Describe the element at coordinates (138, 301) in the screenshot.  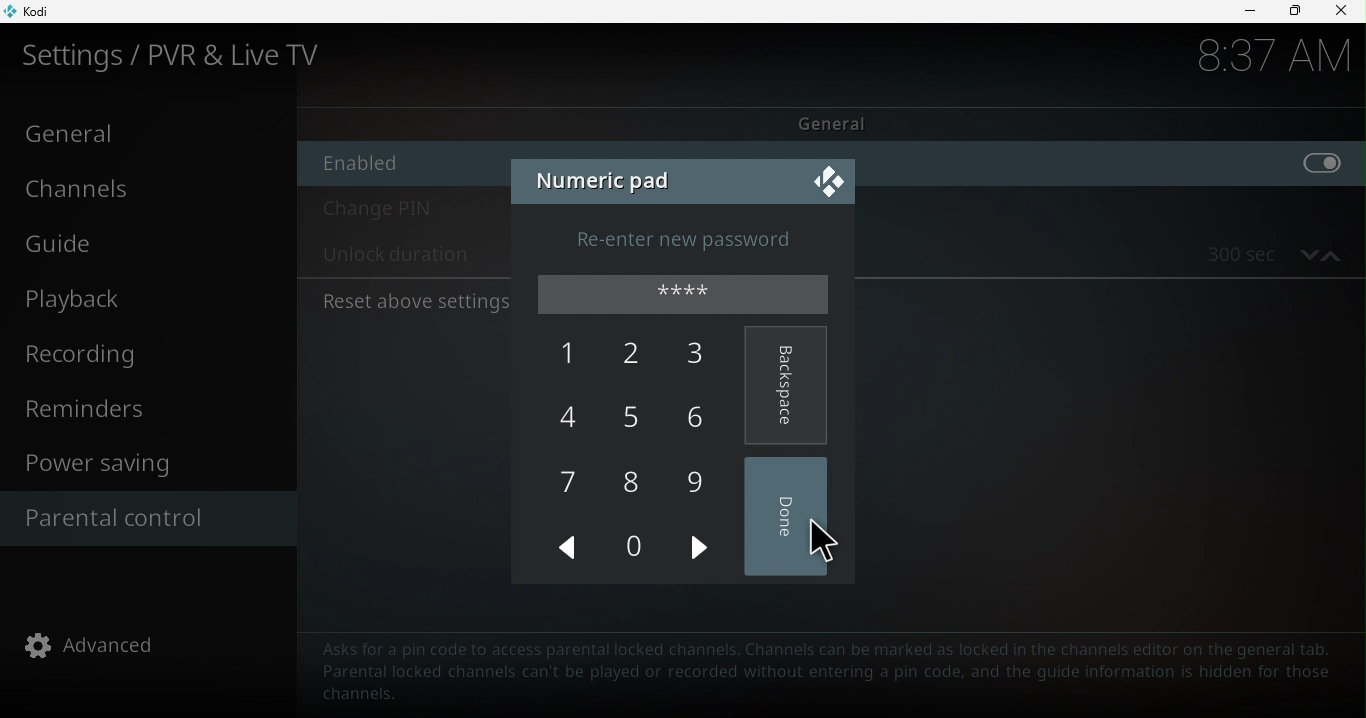
I see `Playback` at that location.